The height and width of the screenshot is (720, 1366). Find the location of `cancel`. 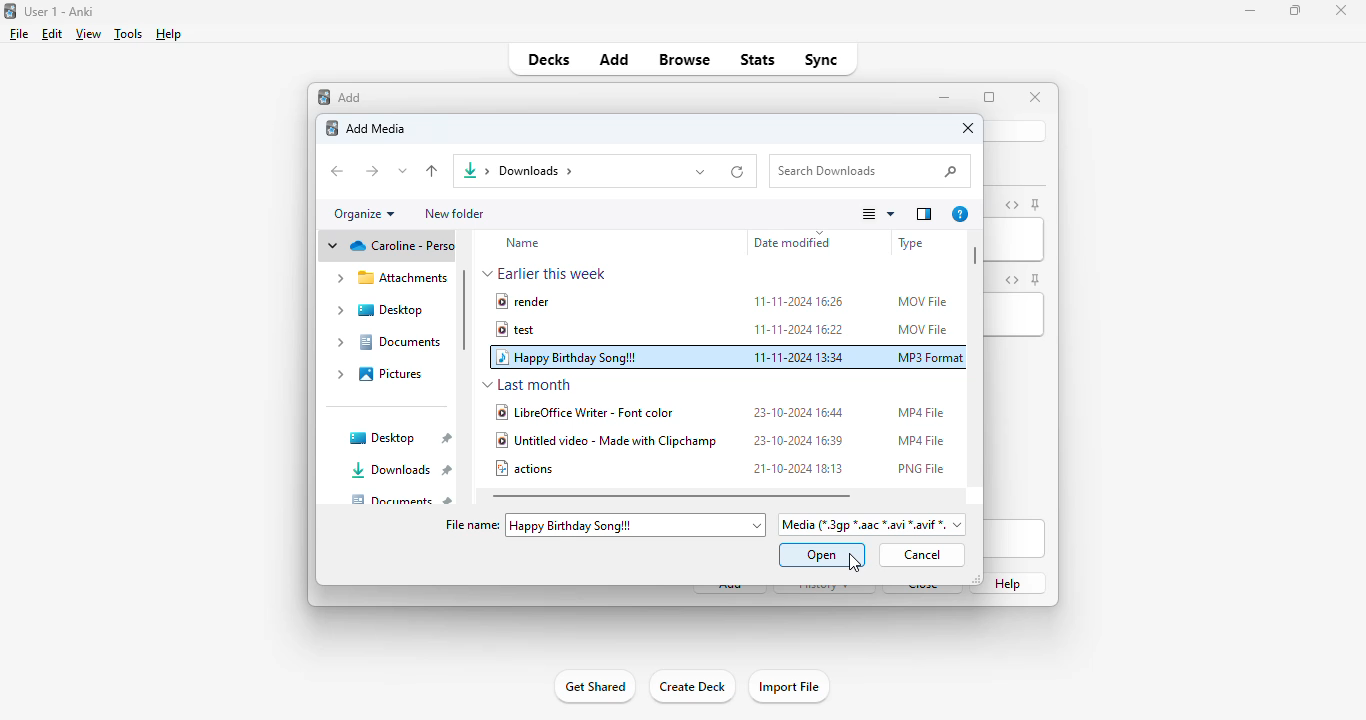

cancel is located at coordinates (920, 555).